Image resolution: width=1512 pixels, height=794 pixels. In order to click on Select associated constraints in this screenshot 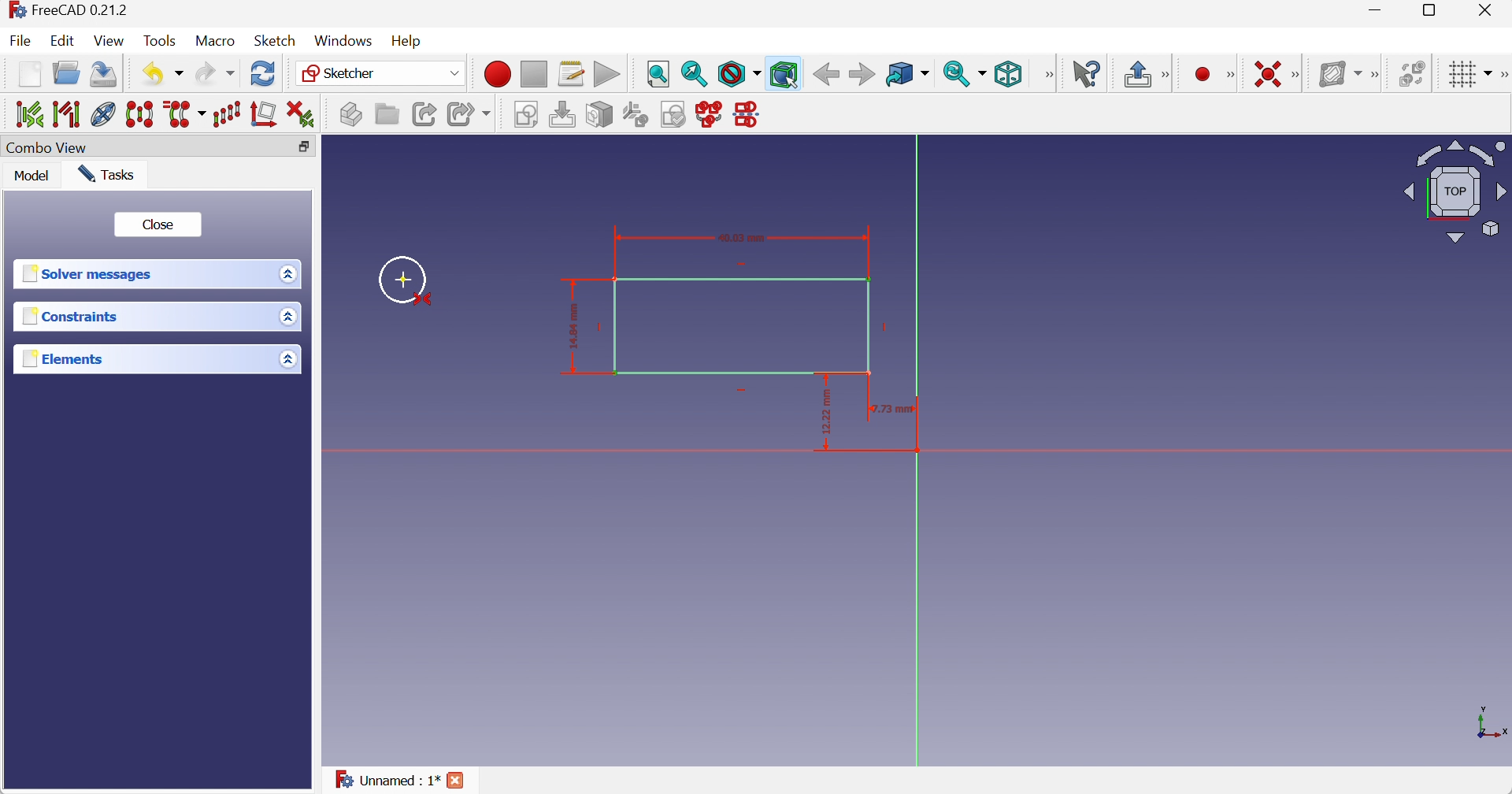, I will do `click(28, 113)`.